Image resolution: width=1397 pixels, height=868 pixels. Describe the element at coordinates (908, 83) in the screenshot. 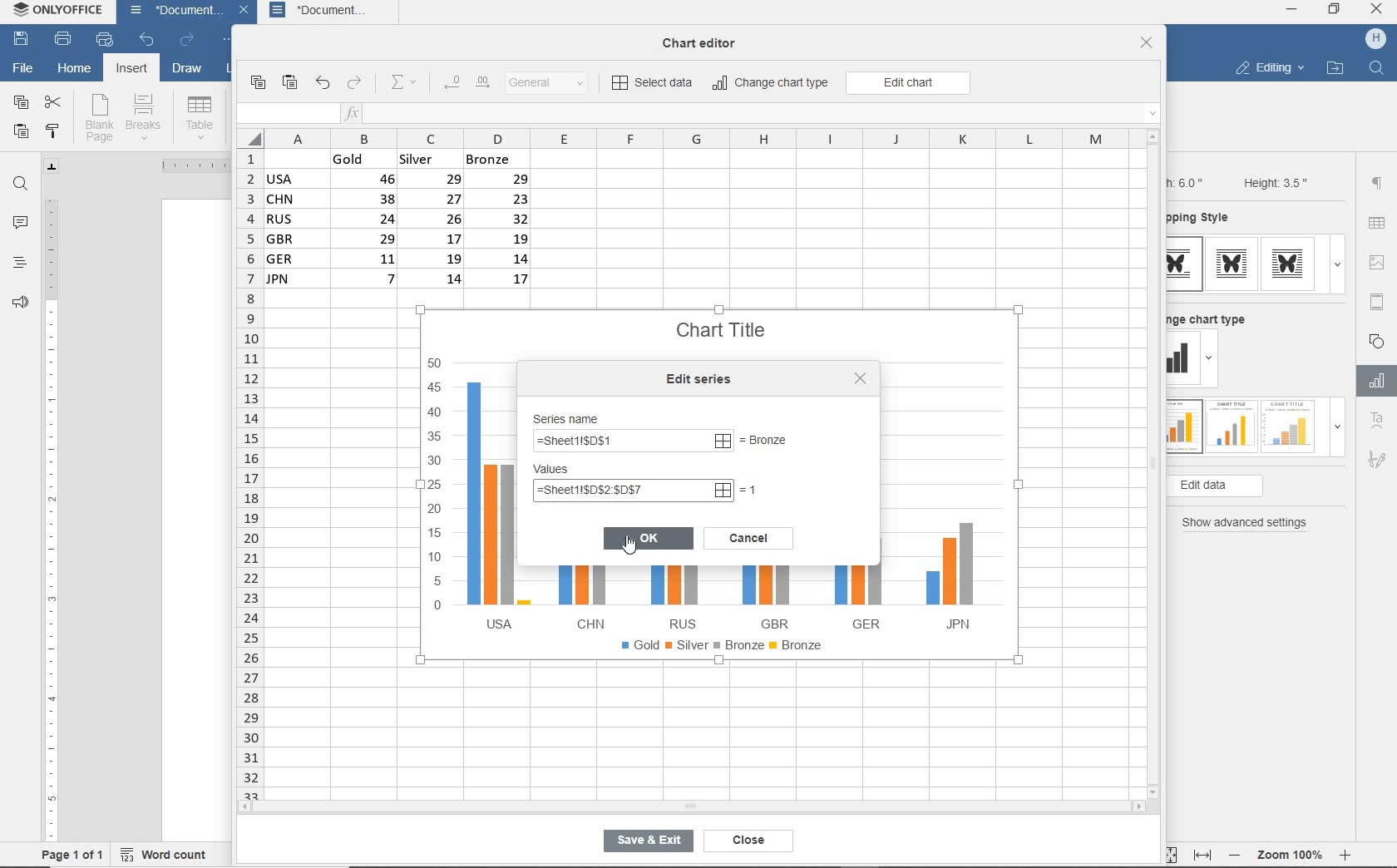

I see `edit chart` at that location.